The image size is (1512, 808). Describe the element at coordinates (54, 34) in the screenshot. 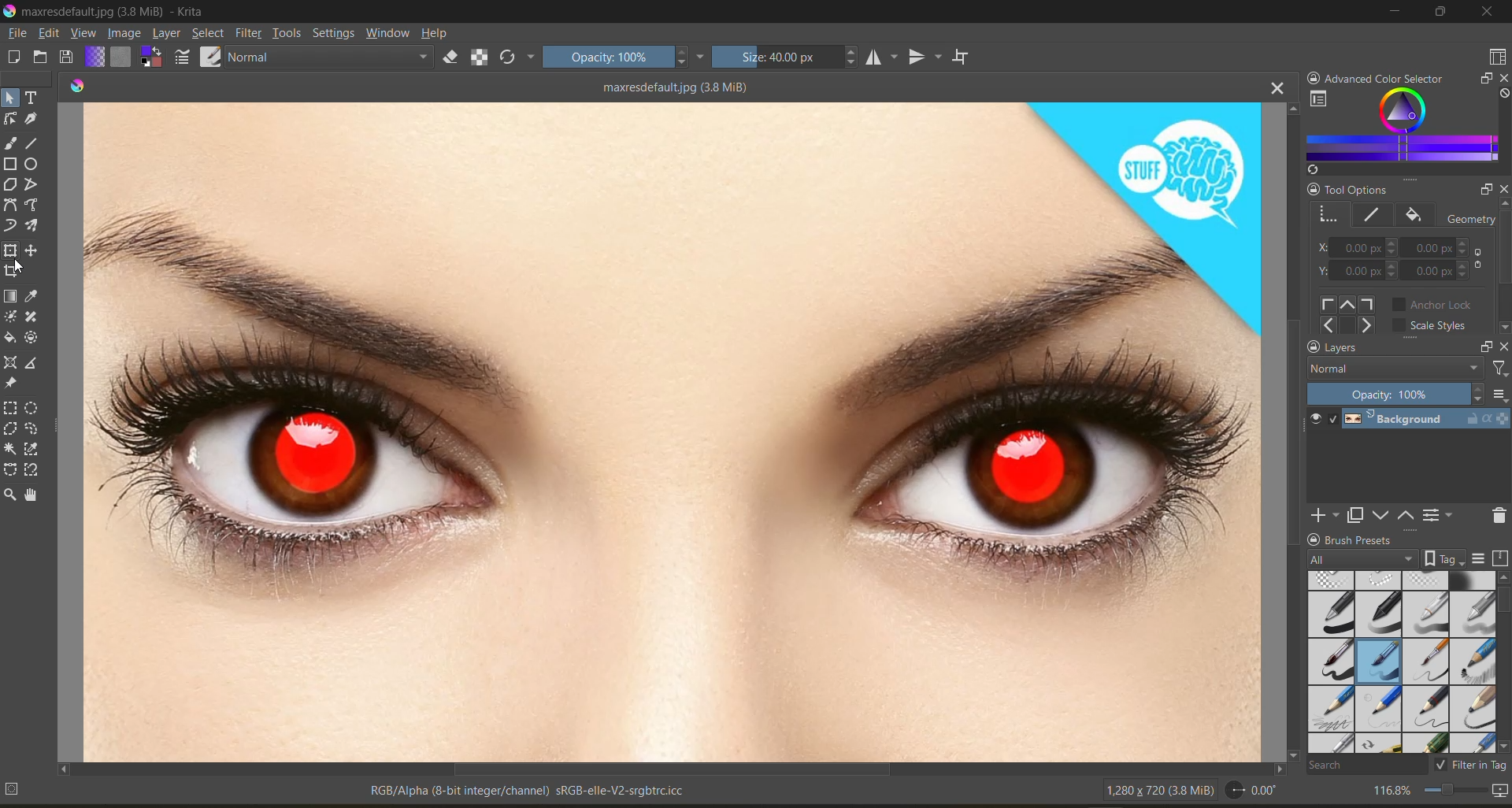

I see `edit` at that location.